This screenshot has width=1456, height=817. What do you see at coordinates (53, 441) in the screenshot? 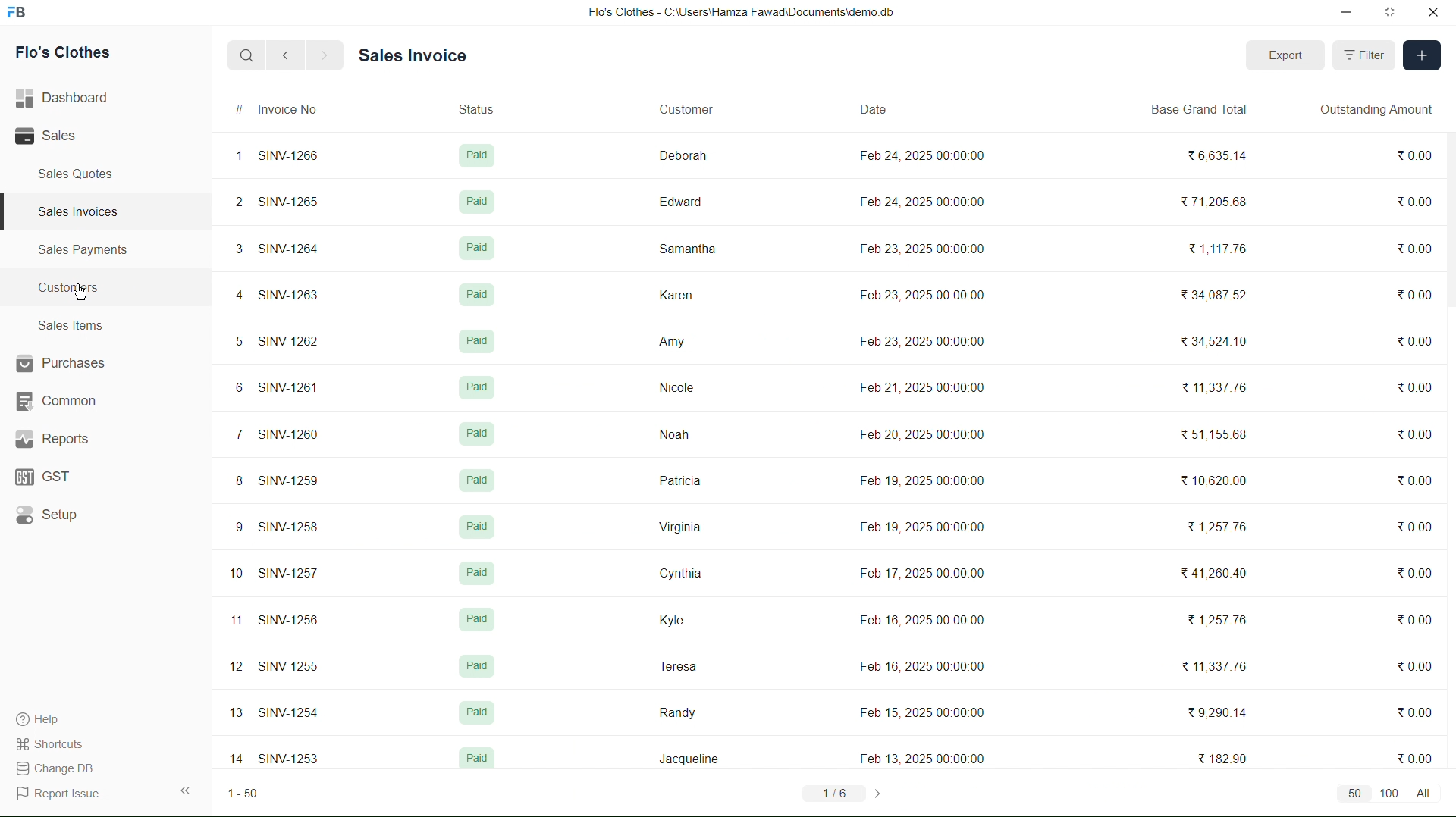
I see `Reports` at bounding box center [53, 441].